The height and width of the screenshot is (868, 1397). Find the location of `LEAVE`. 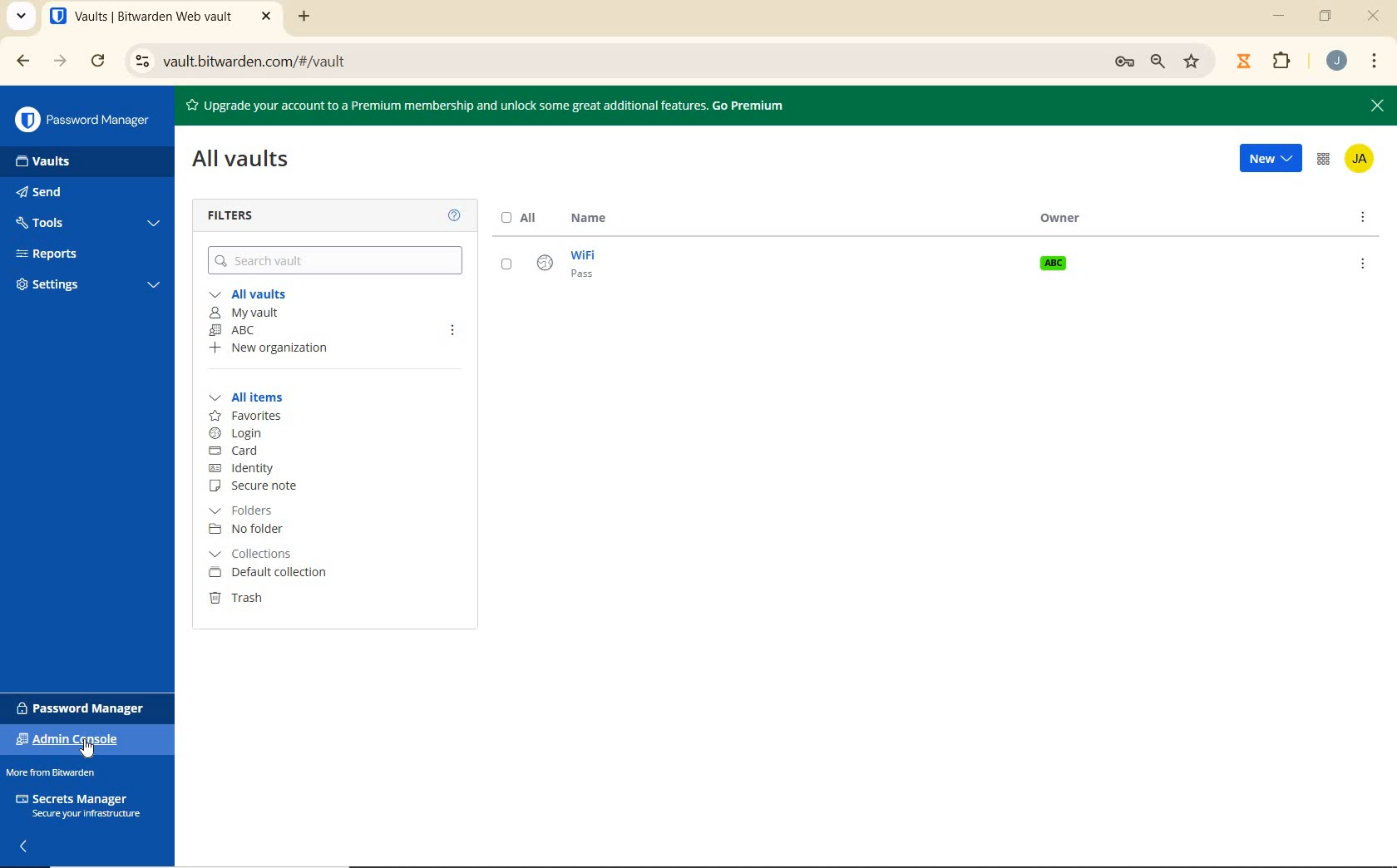

LEAVE is located at coordinates (455, 328).